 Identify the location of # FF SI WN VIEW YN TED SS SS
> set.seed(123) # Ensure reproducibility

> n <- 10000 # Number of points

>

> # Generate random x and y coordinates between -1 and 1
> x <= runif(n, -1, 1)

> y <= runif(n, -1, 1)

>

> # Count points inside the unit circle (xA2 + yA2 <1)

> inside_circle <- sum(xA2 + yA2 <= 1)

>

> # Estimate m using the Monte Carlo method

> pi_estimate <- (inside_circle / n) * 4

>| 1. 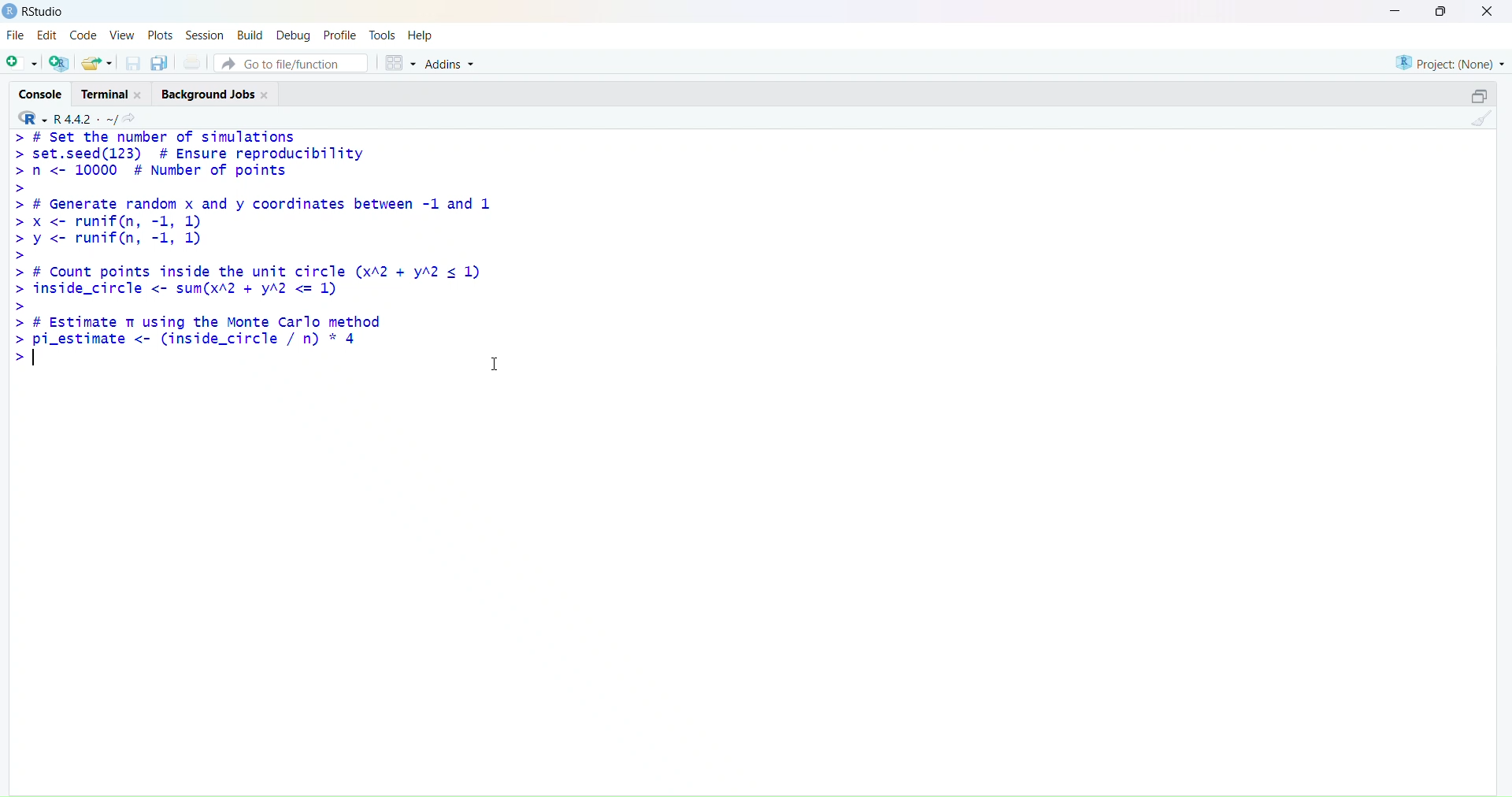
(261, 261).